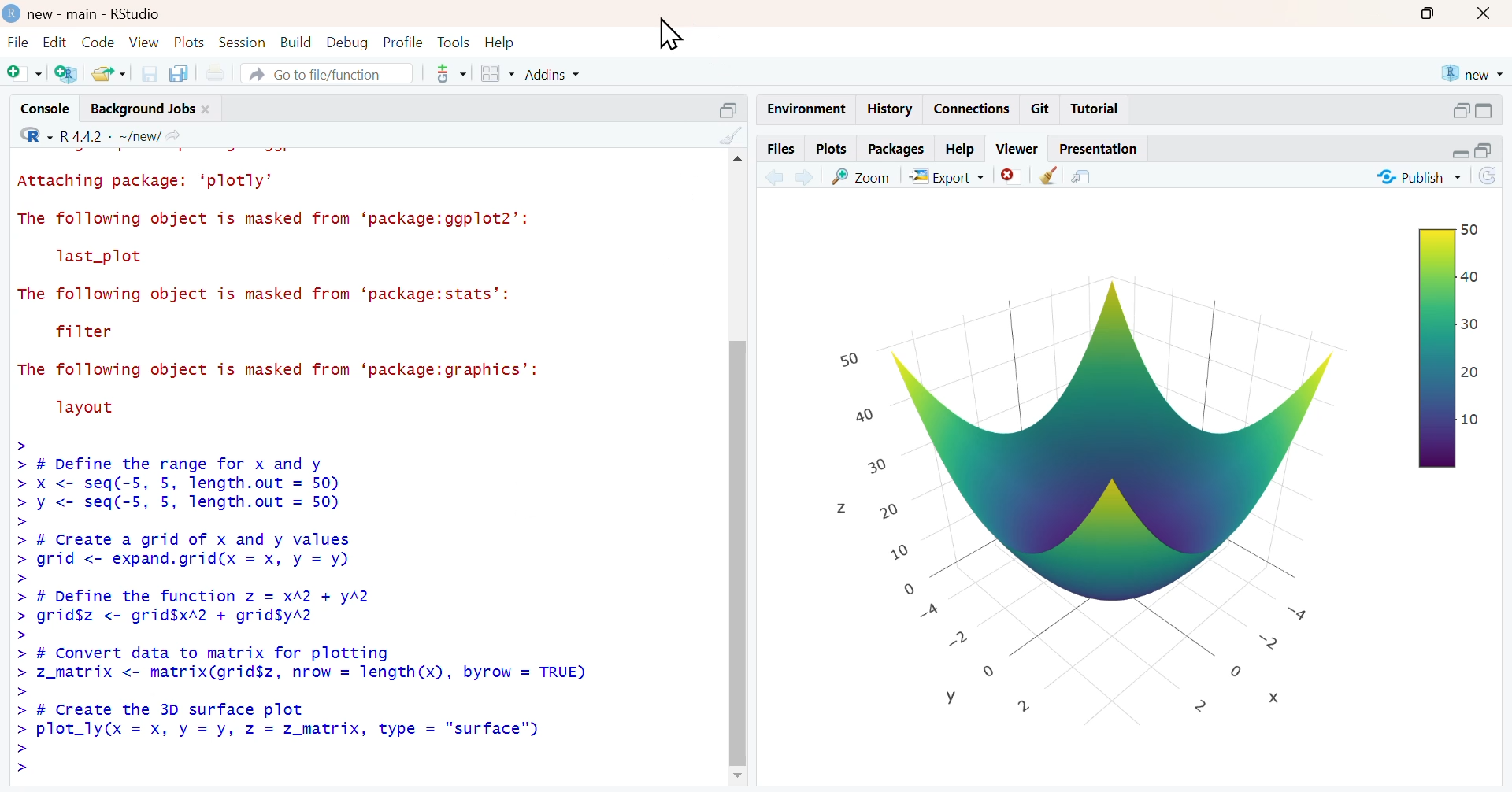  What do you see at coordinates (178, 135) in the screenshot?
I see `view the current working directory` at bounding box center [178, 135].